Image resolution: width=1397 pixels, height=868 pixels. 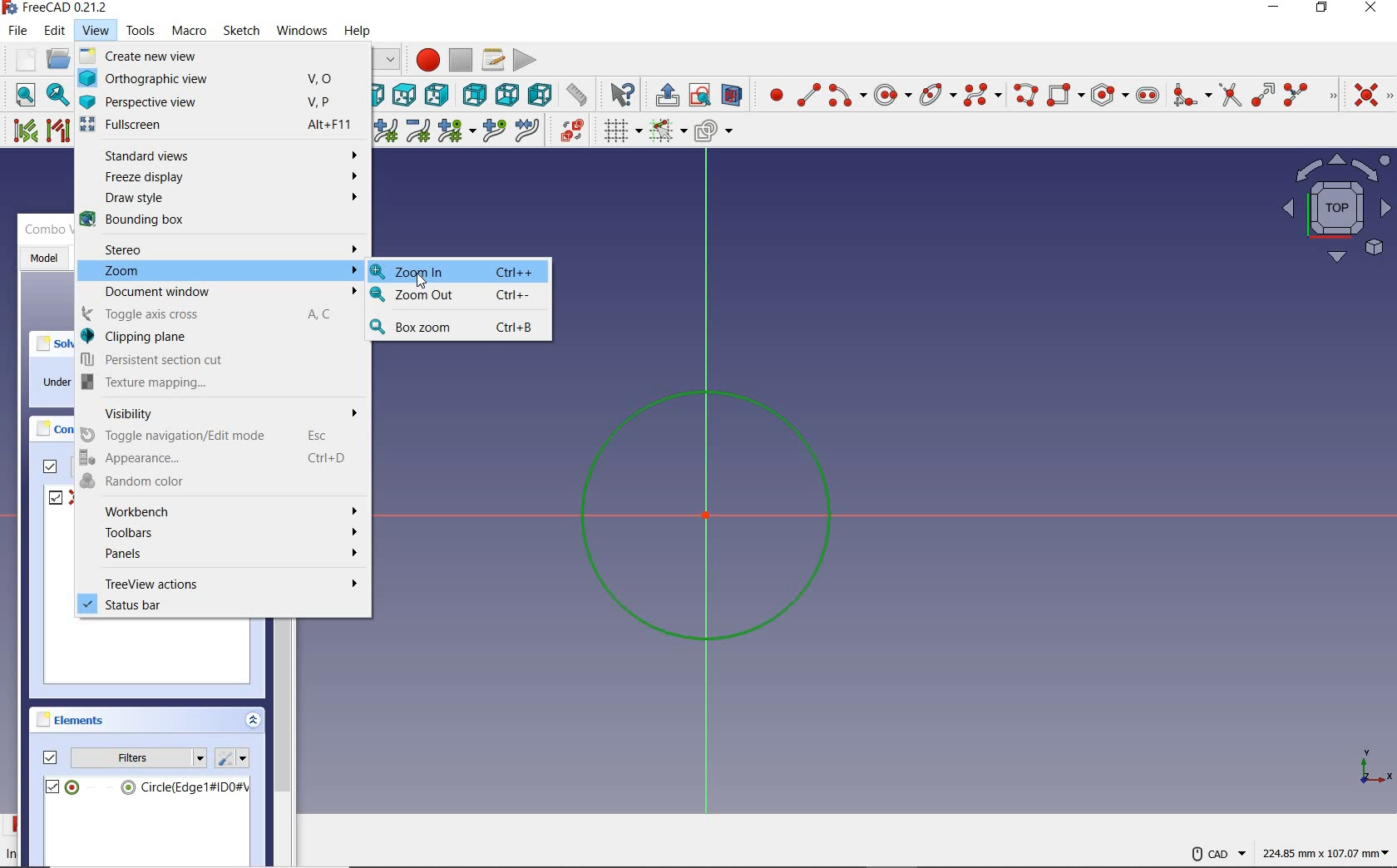 I want to click on split edge, so click(x=1309, y=95).